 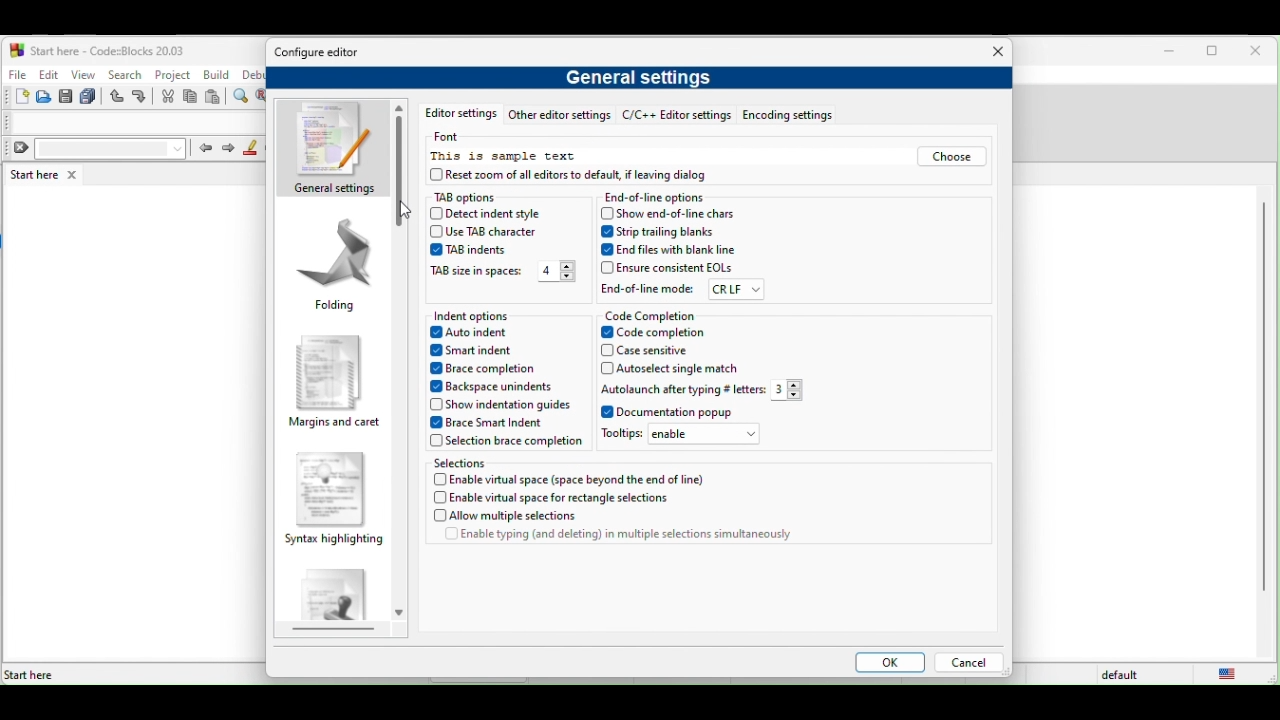 What do you see at coordinates (328, 148) in the screenshot?
I see `general settings` at bounding box center [328, 148].